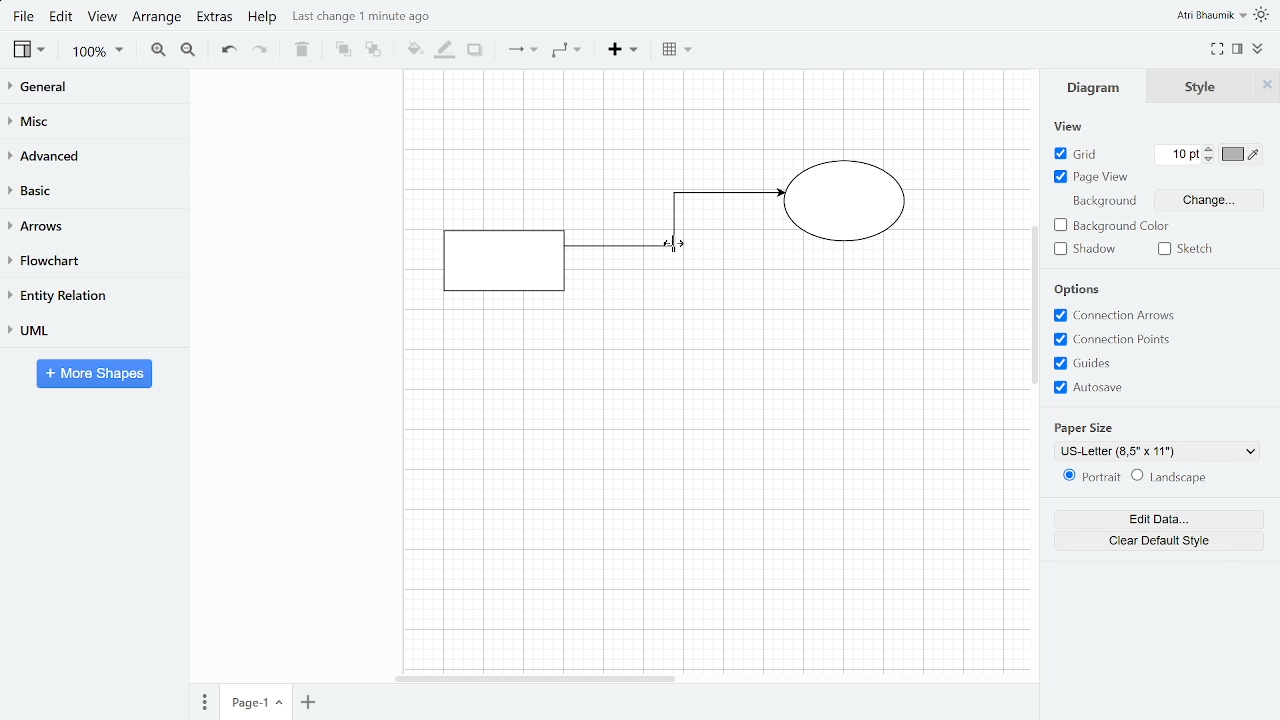 The height and width of the screenshot is (720, 1280). I want to click on Advanced, so click(94, 156).